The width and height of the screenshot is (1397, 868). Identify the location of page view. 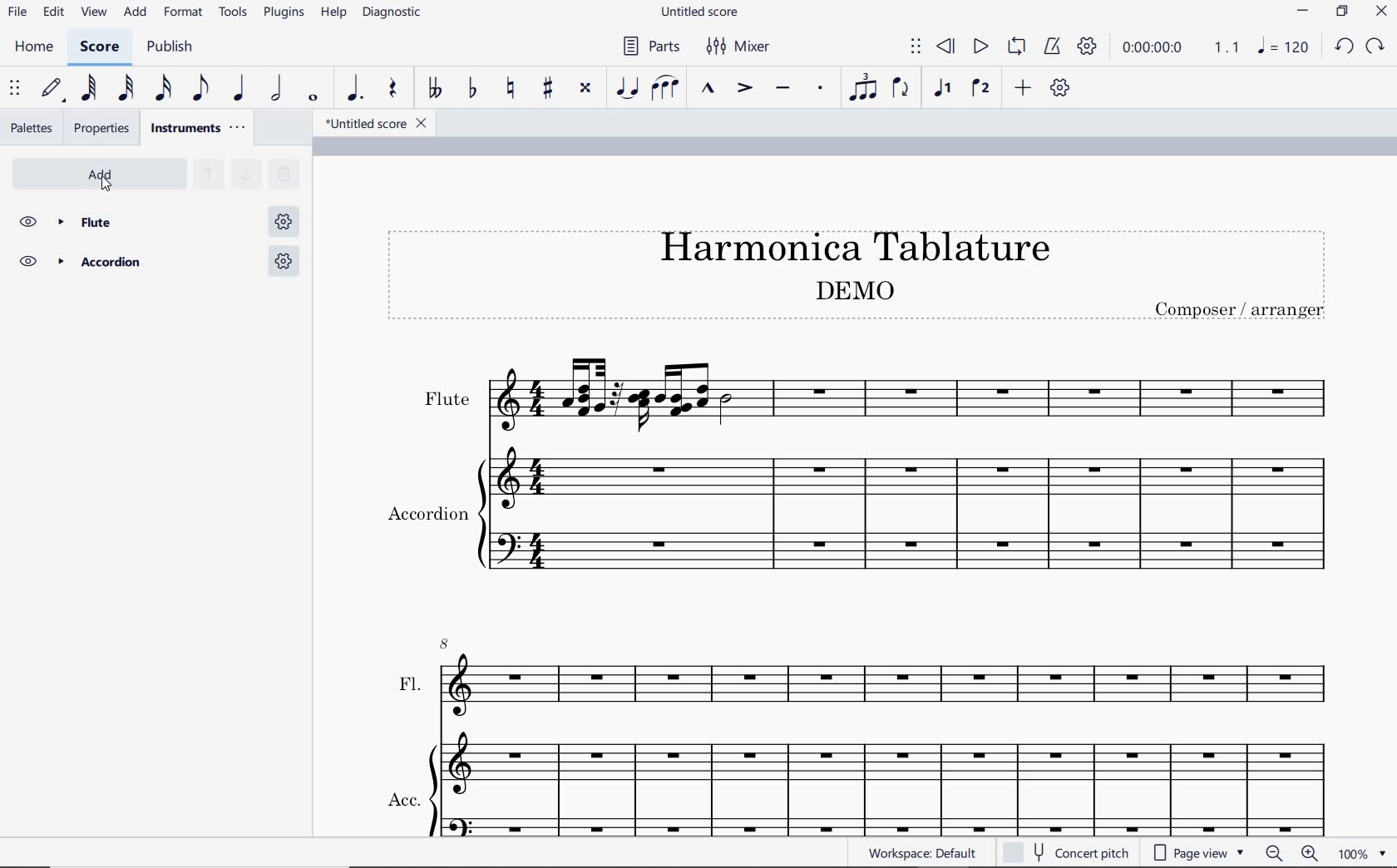
(1200, 855).